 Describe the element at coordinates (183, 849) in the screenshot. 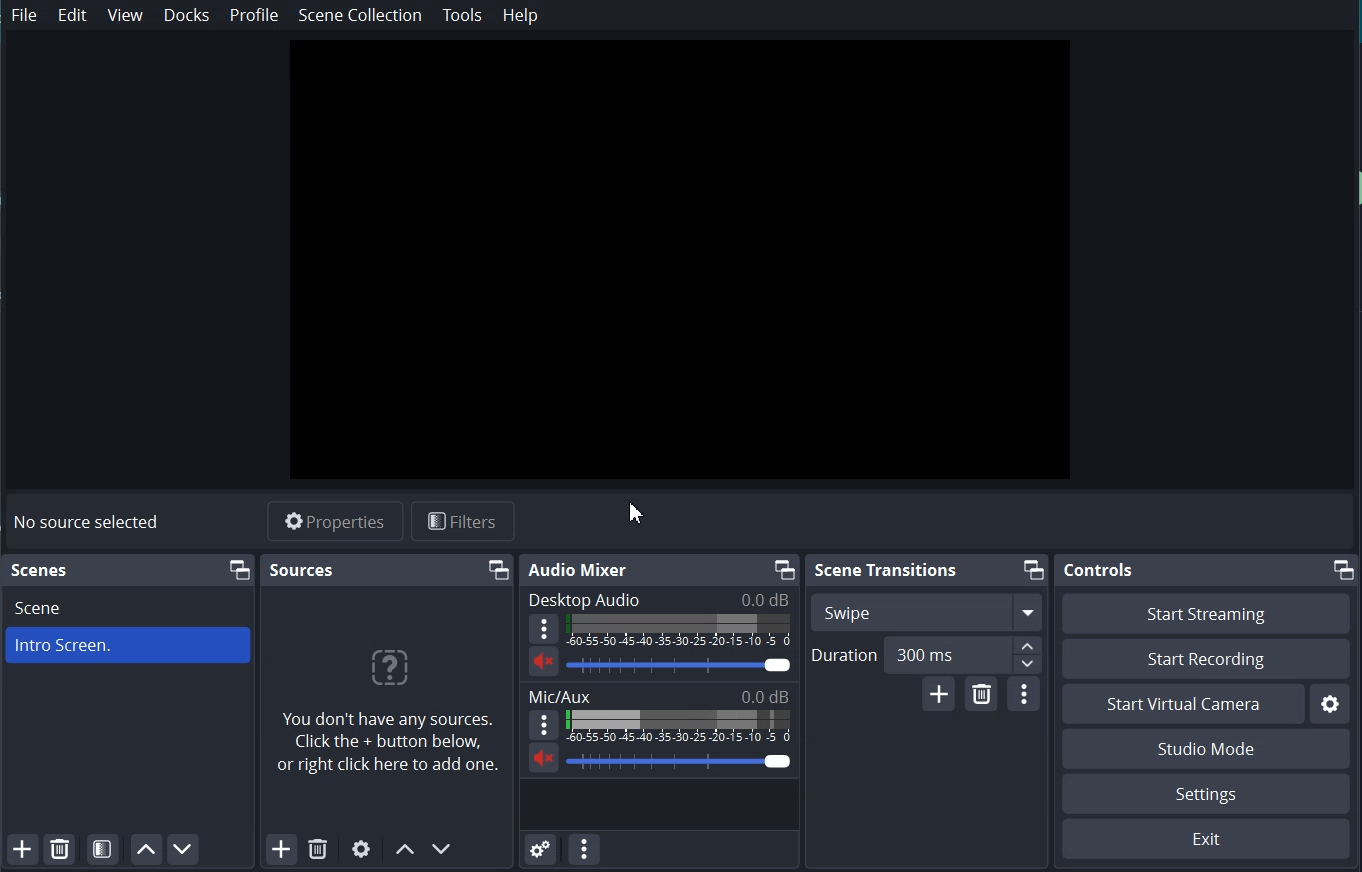

I see `Move Scene Down` at that location.